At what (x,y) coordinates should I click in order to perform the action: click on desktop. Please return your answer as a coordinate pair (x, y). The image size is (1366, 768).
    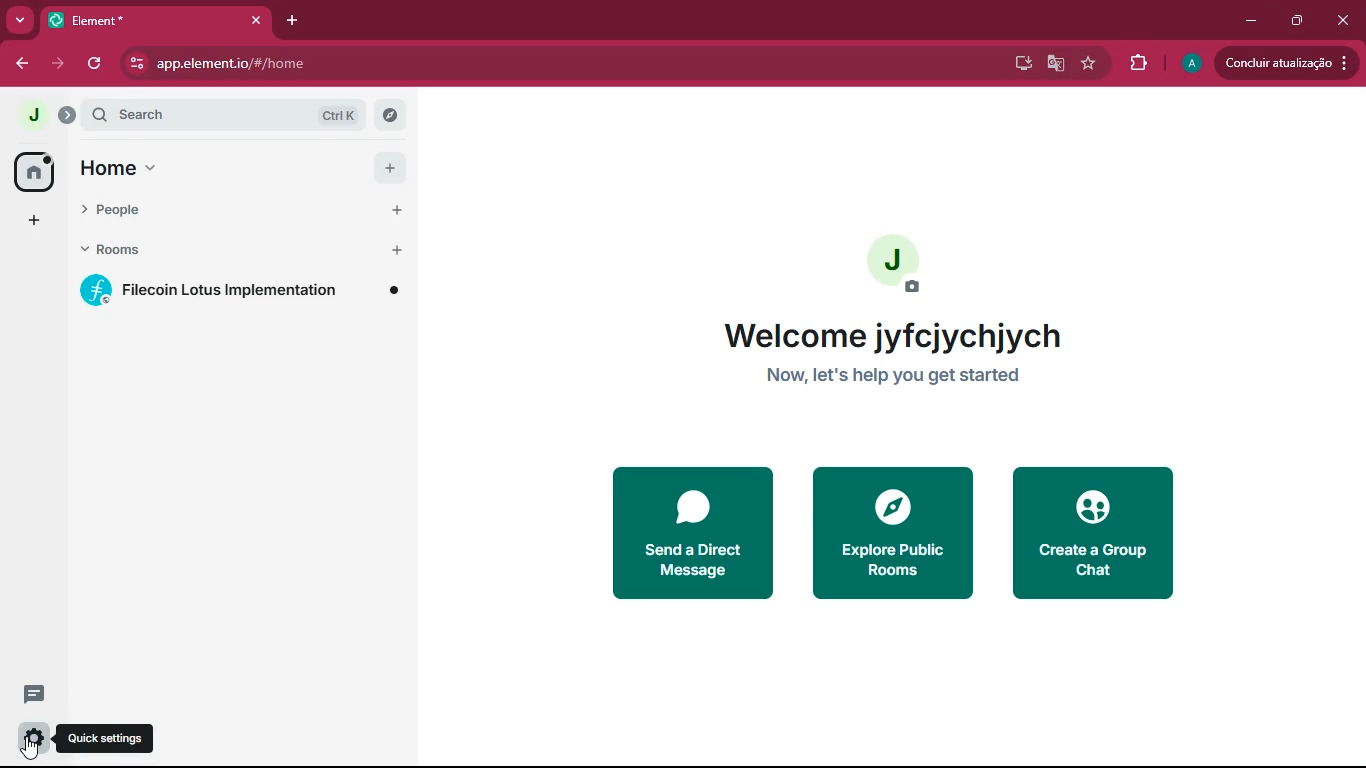
    Looking at the image, I should click on (1016, 64).